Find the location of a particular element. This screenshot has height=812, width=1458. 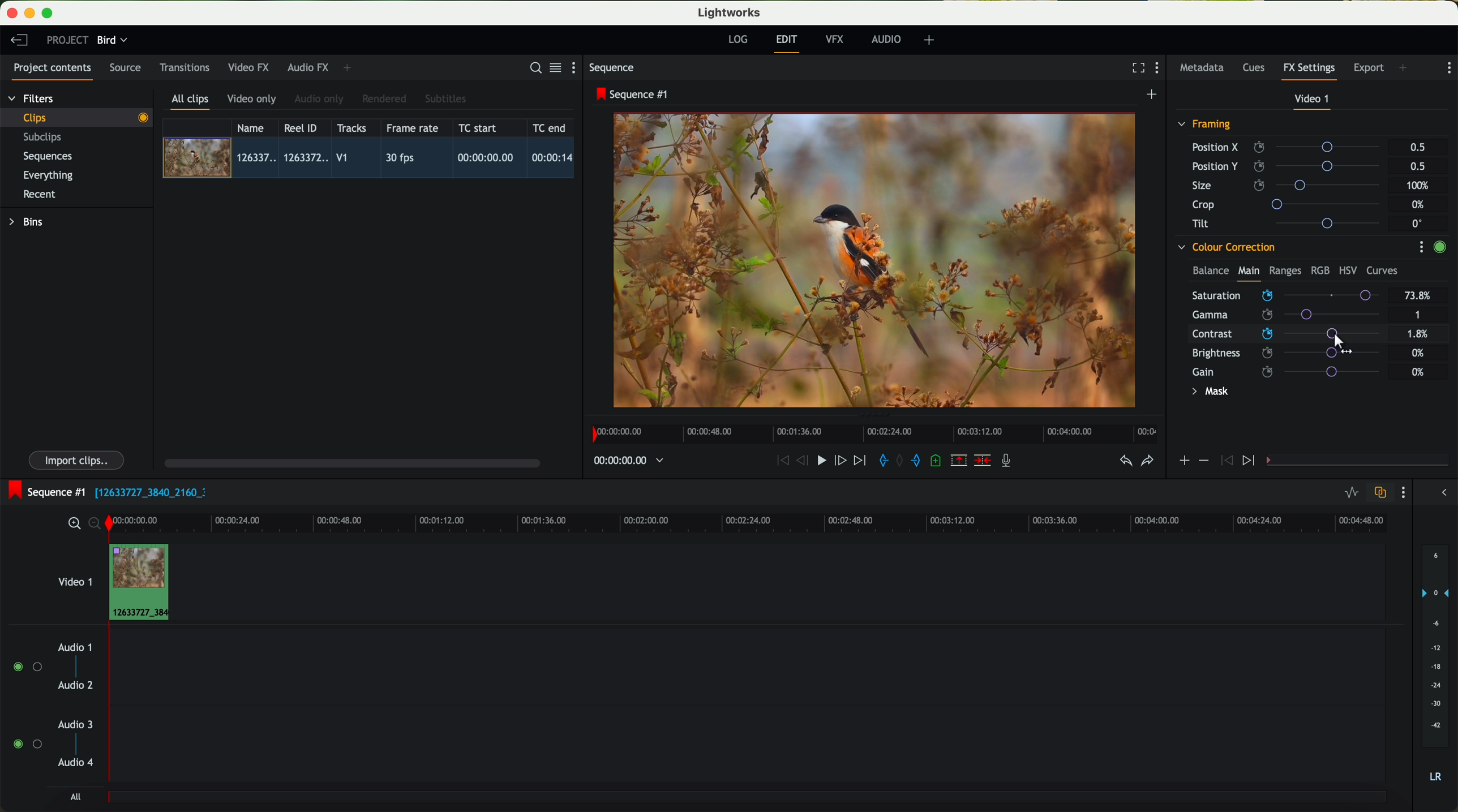

click on video is located at coordinates (372, 160).